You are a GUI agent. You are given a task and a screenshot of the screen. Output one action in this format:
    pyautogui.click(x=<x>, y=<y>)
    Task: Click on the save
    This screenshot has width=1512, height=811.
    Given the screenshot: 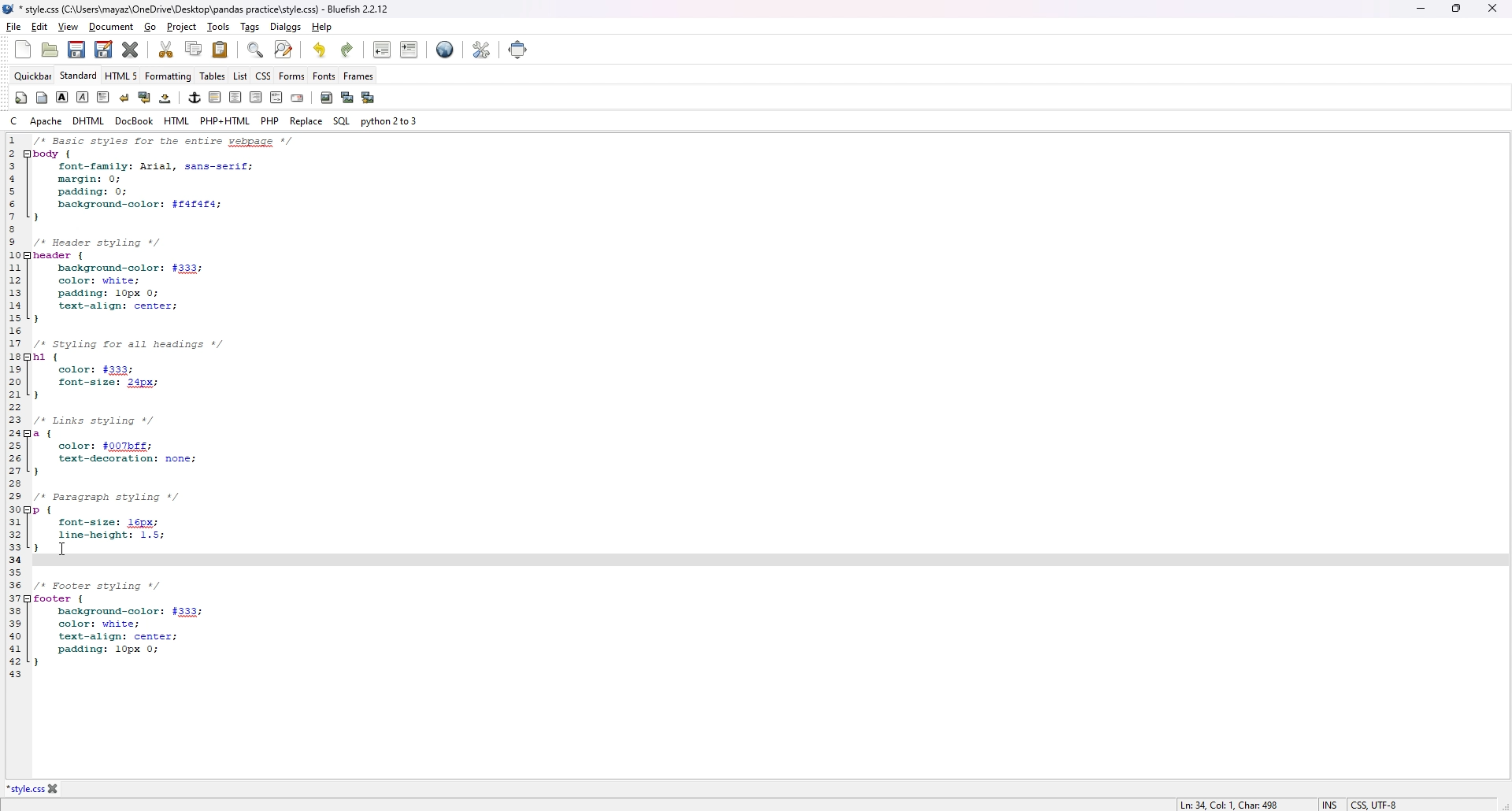 What is the action you would take?
    pyautogui.click(x=77, y=50)
    